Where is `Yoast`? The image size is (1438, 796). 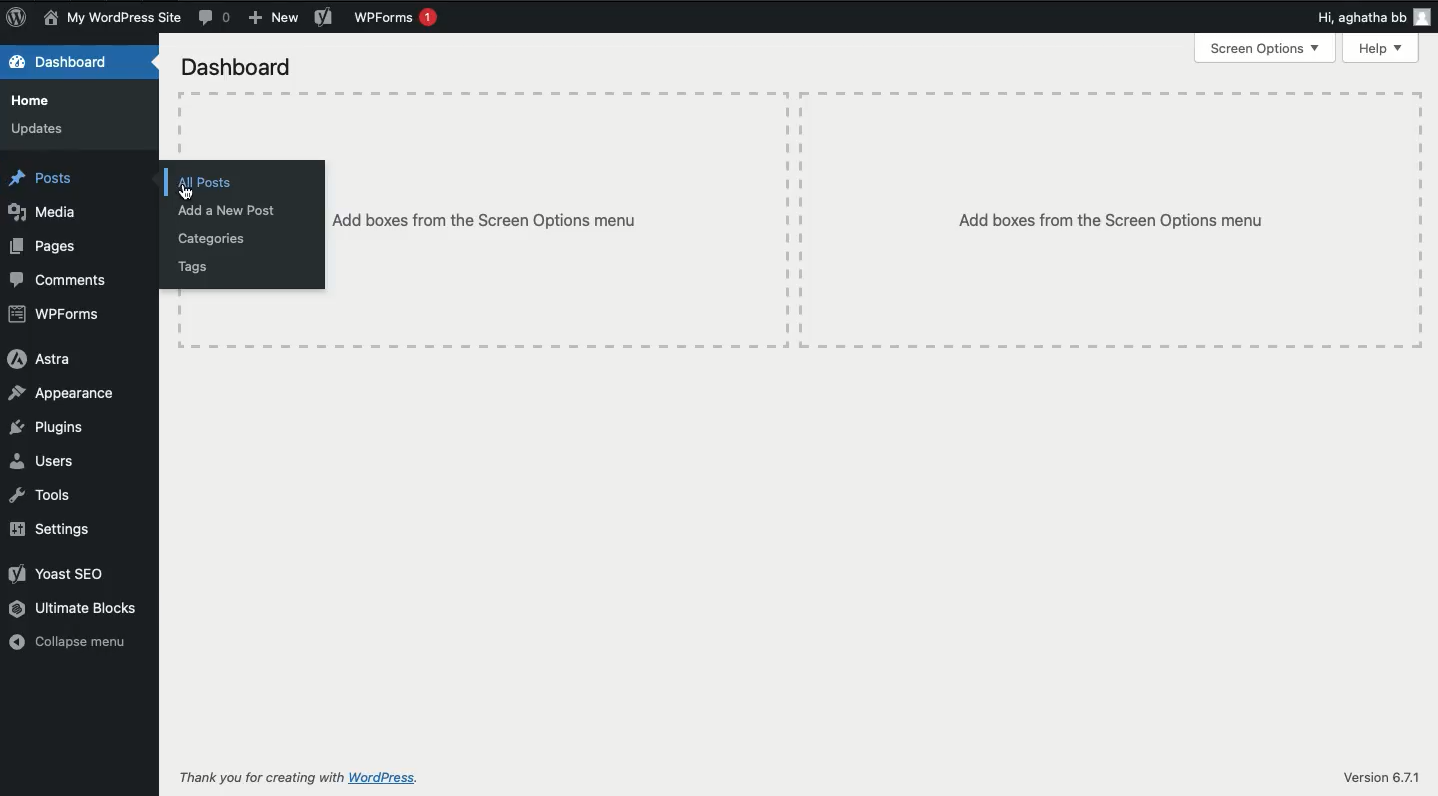
Yoast is located at coordinates (62, 575).